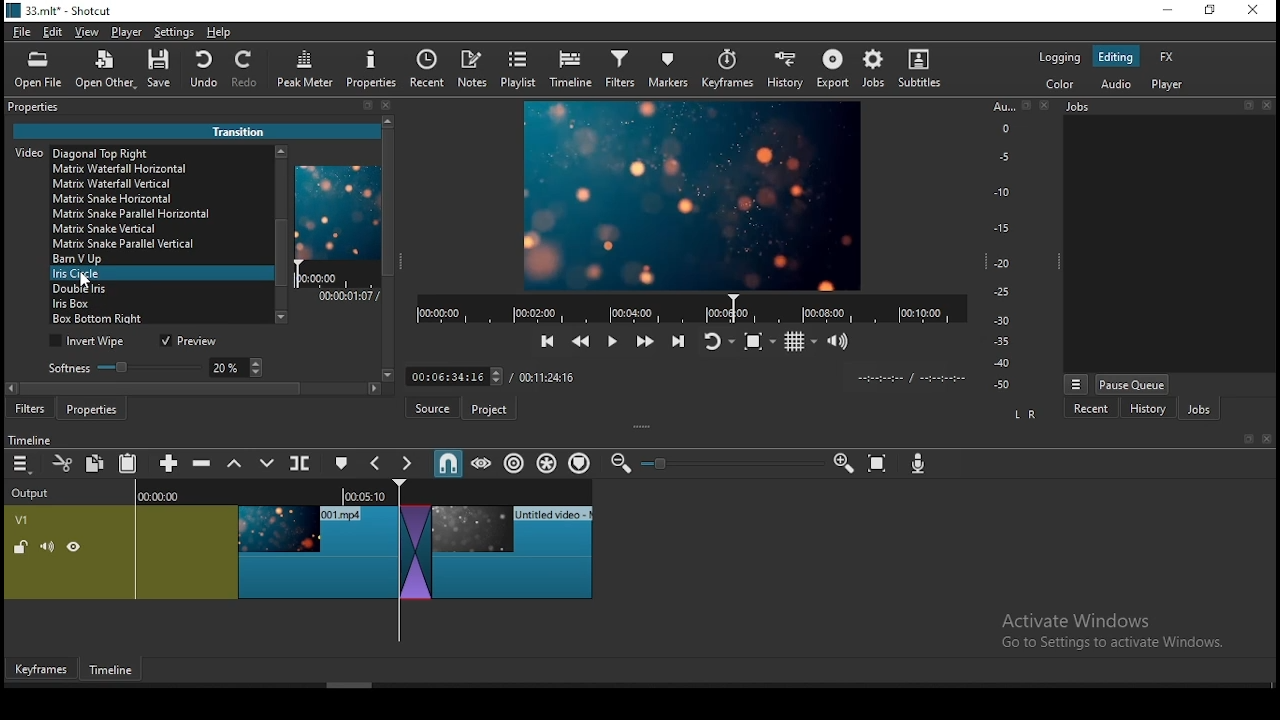 The height and width of the screenshot is (720, 1280). What do you see at coordinates (131, 465) in the screenshot?
I see `paste` at bounding box center [131, 465].